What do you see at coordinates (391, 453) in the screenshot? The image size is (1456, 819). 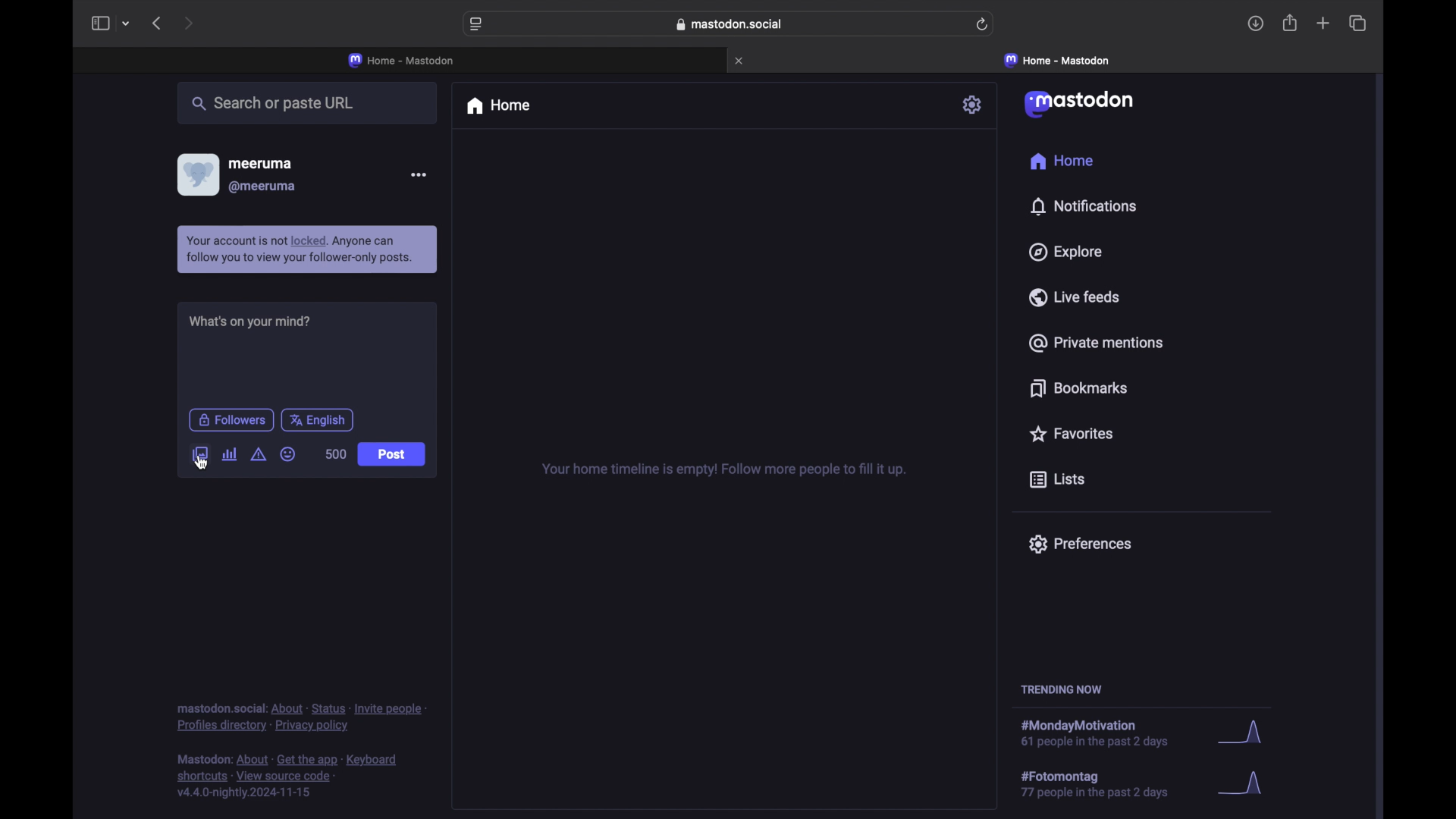 I see `post` at bounding box center [391, 453].